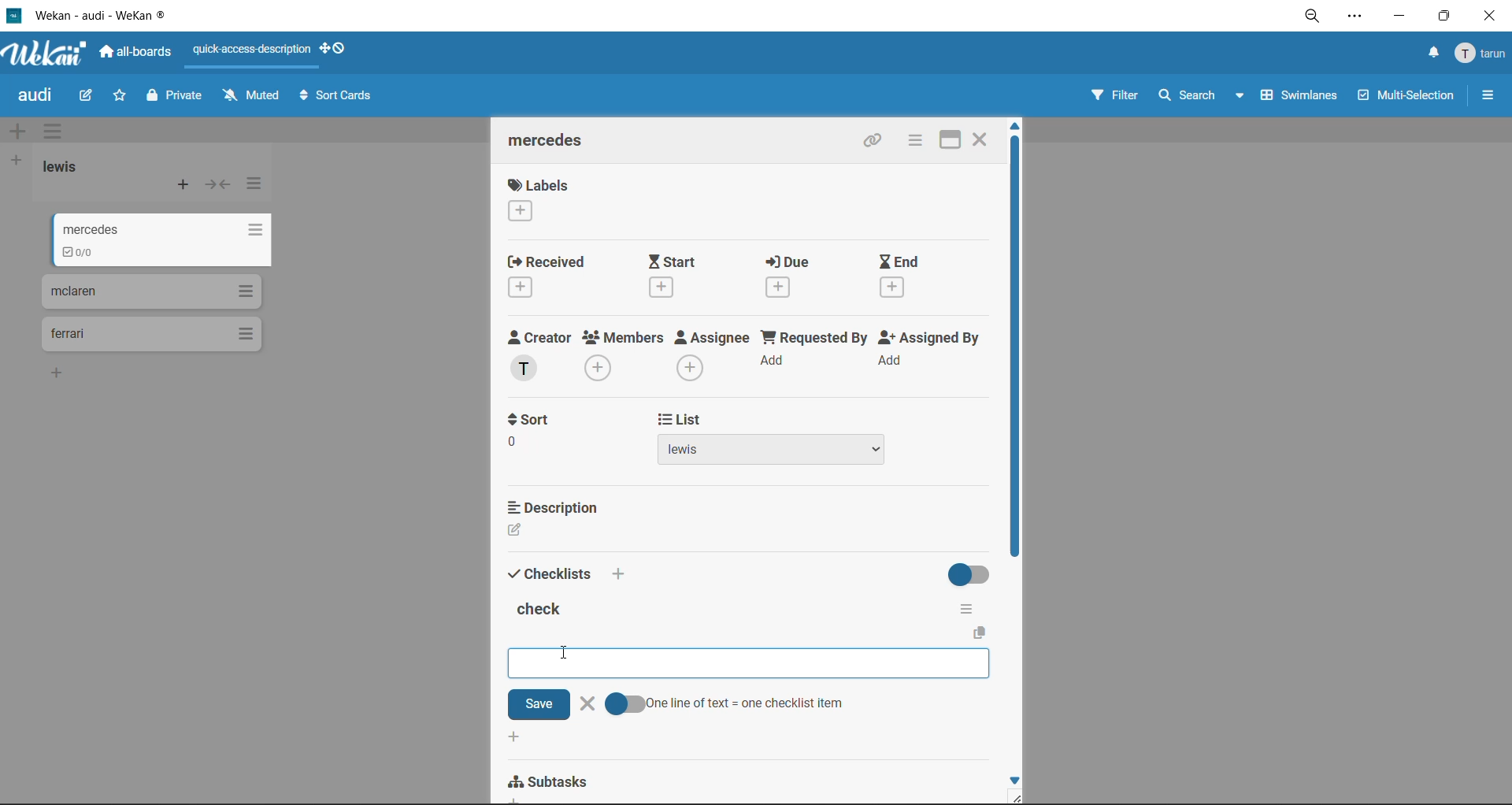  What do you see at coordinates (535, 418) in the screenshot?
I see `t` at bounding box center [535, 418].